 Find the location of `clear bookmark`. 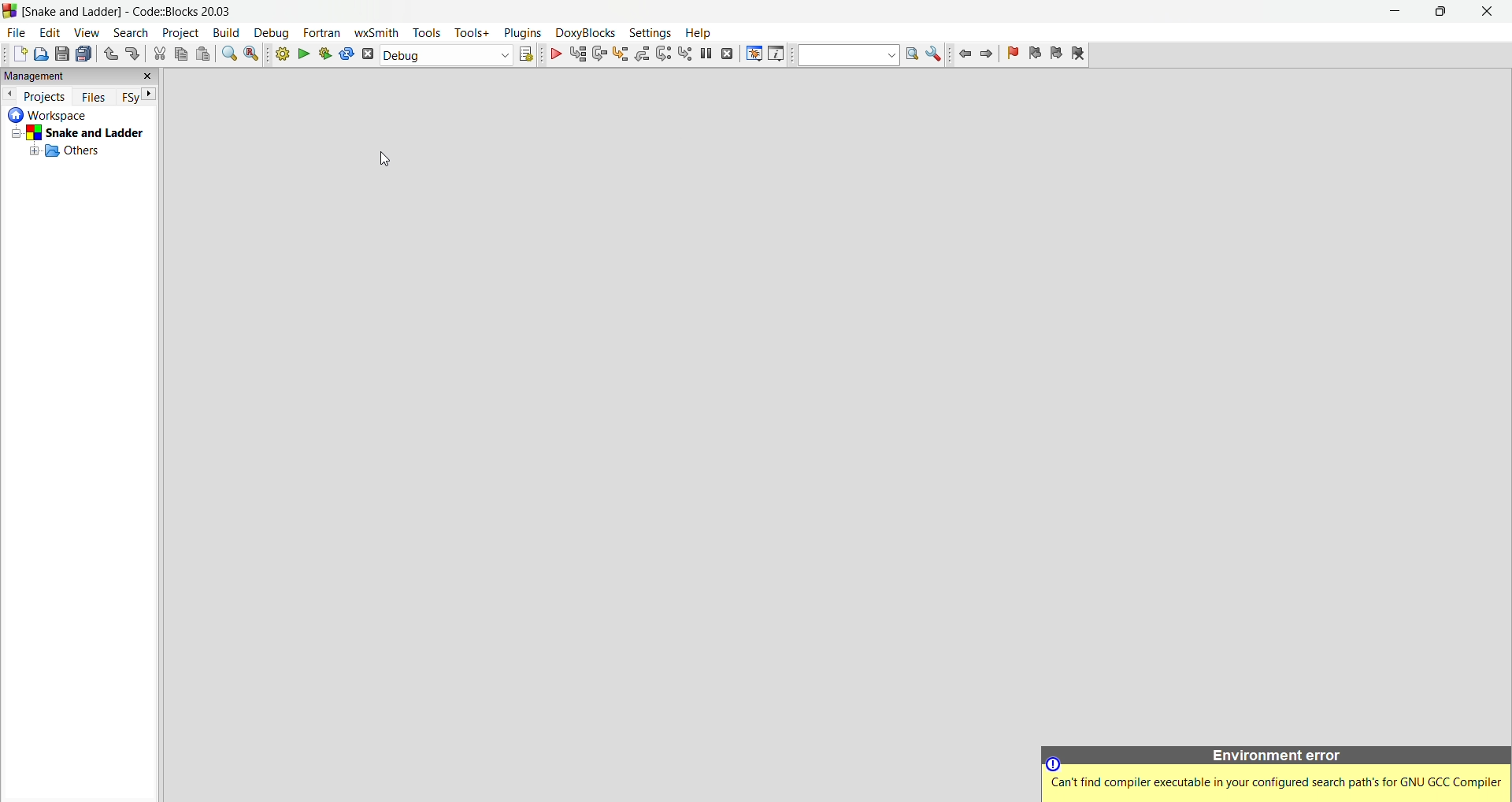

clear bookmark is located at coordinates (1080, 54).